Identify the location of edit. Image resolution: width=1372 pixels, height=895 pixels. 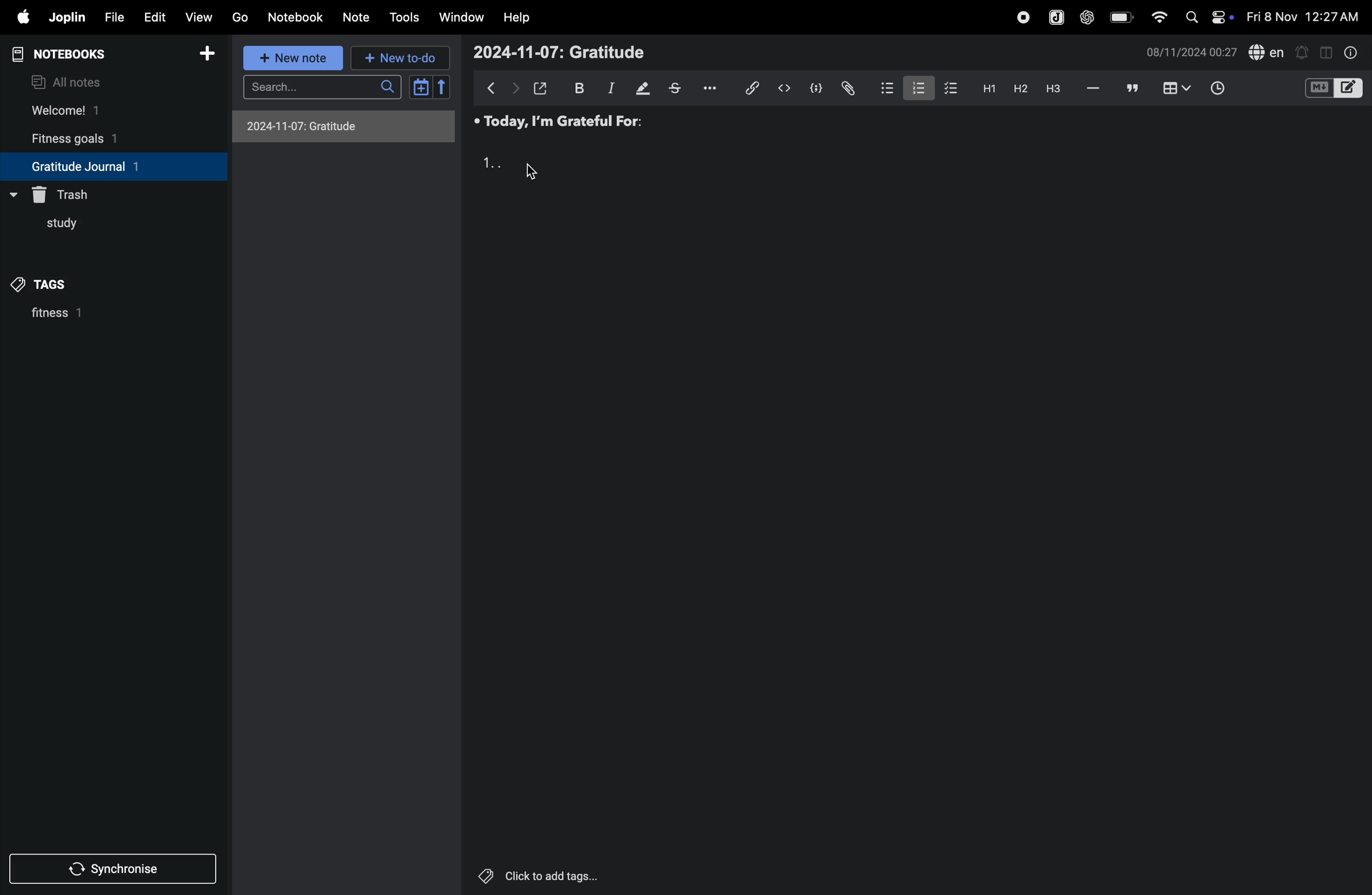
(154, 18).